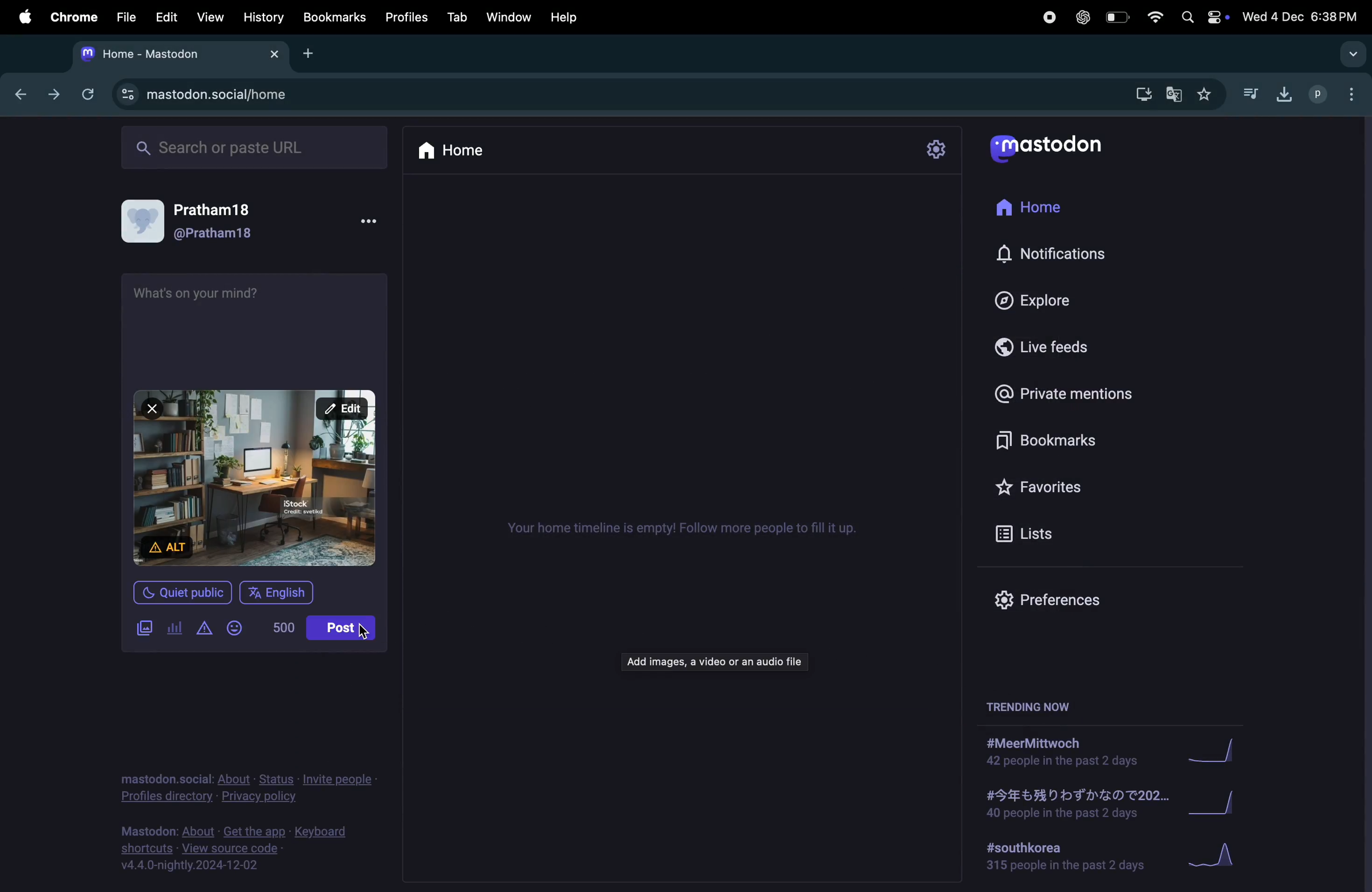  I want to click on Cursor, so click(365, 631).